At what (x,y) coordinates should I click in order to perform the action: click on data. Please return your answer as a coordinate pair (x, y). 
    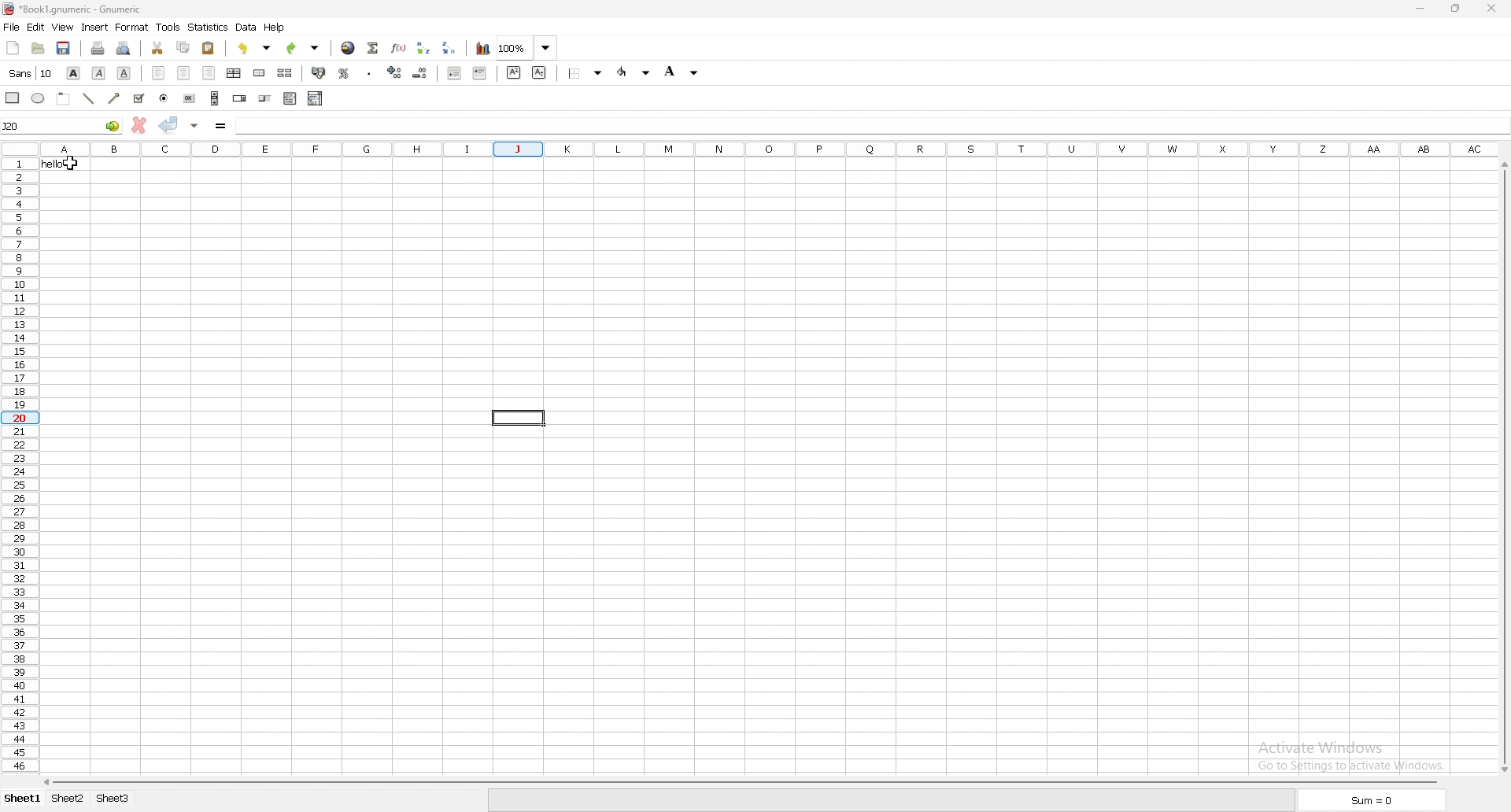
    Looking at the image, I should click on (247, 27).